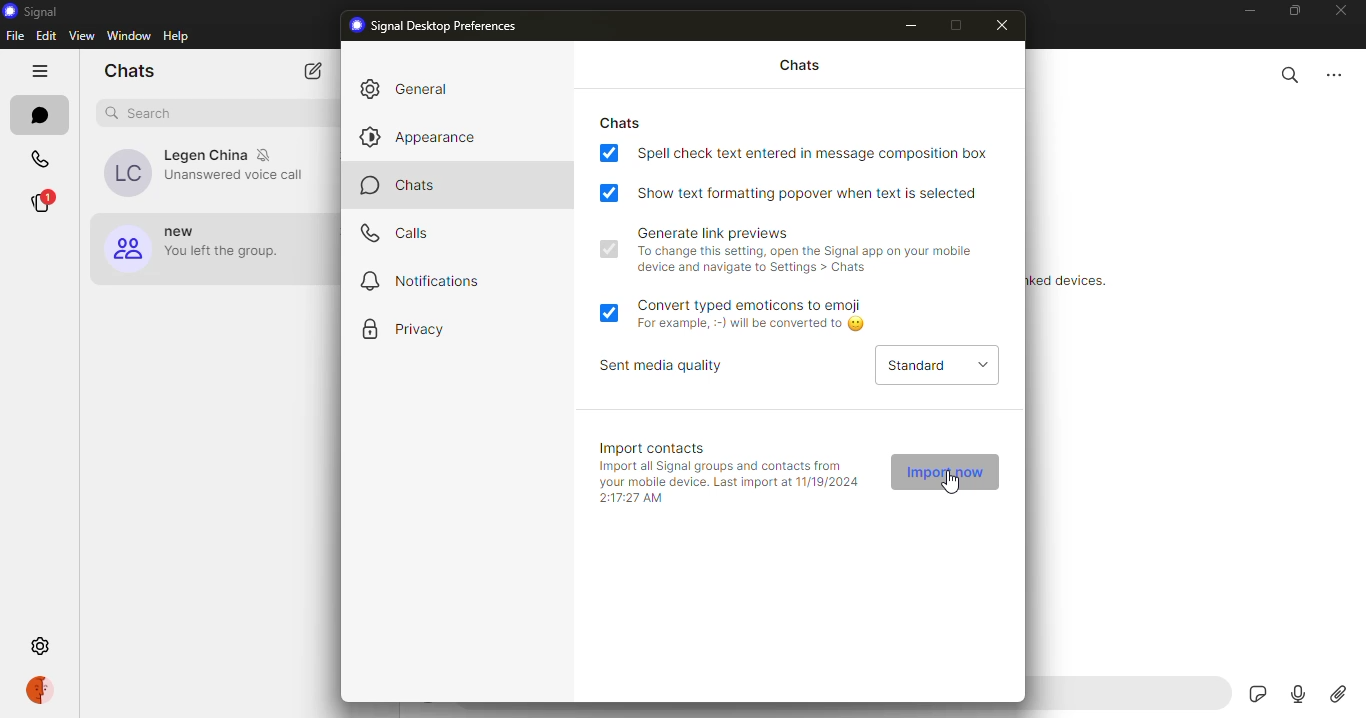 The height and width of the screenshot is (718, 1366). I want to click on record, so click(1298, 697).